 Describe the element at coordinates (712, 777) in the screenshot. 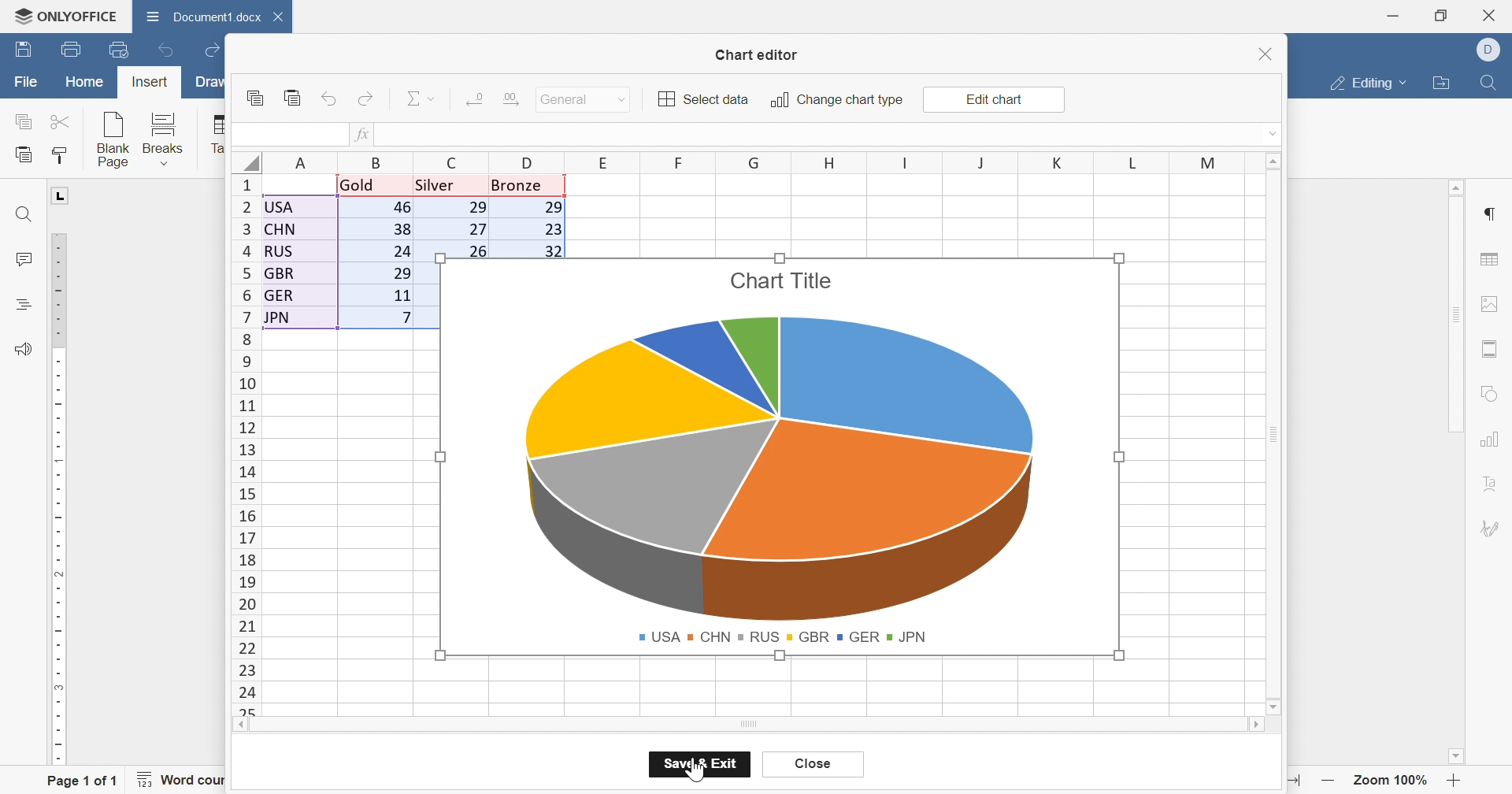

I see `cursor` at that location.